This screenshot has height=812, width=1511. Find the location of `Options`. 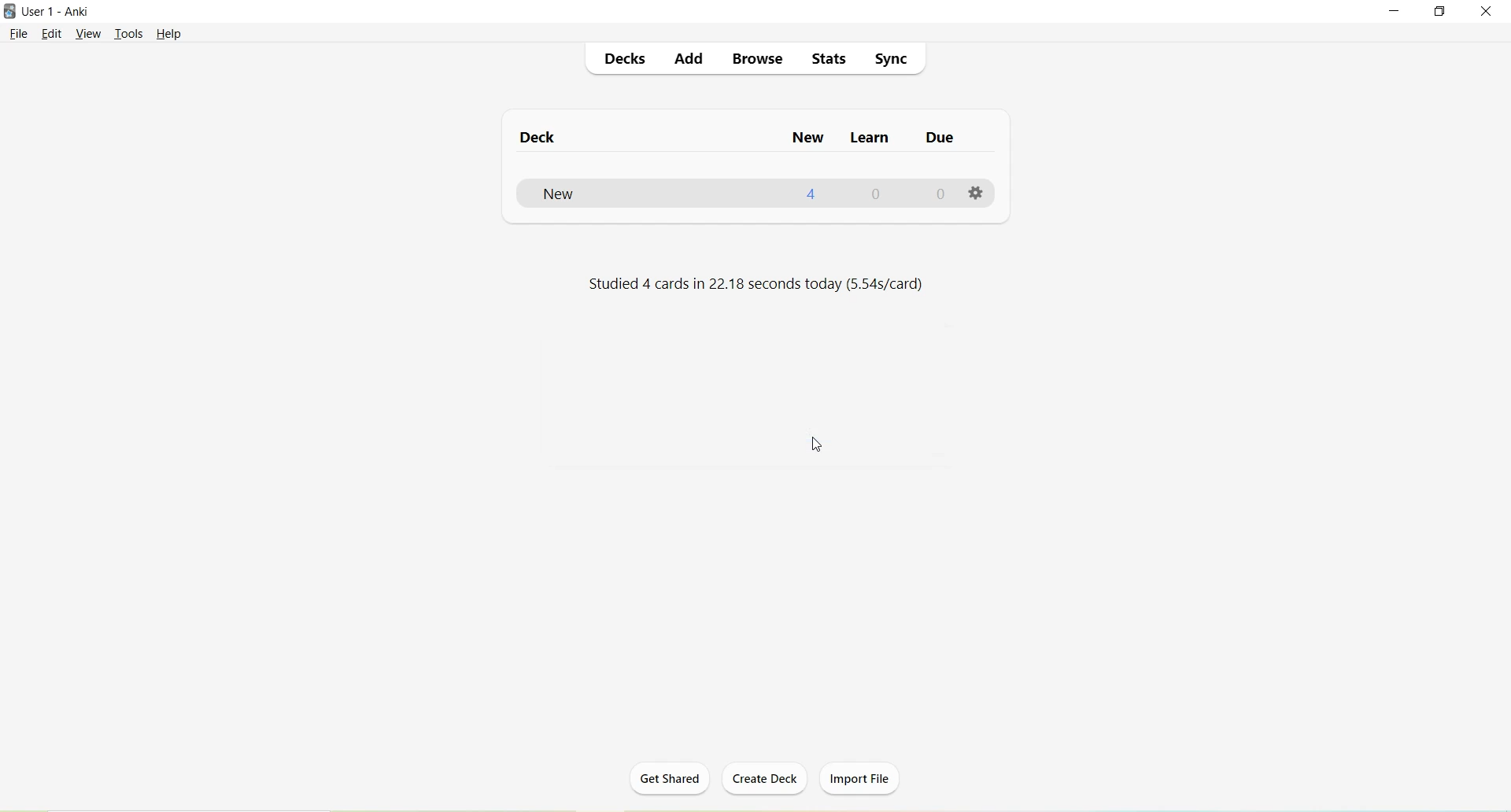

Options is located at coordinates (979, 193).